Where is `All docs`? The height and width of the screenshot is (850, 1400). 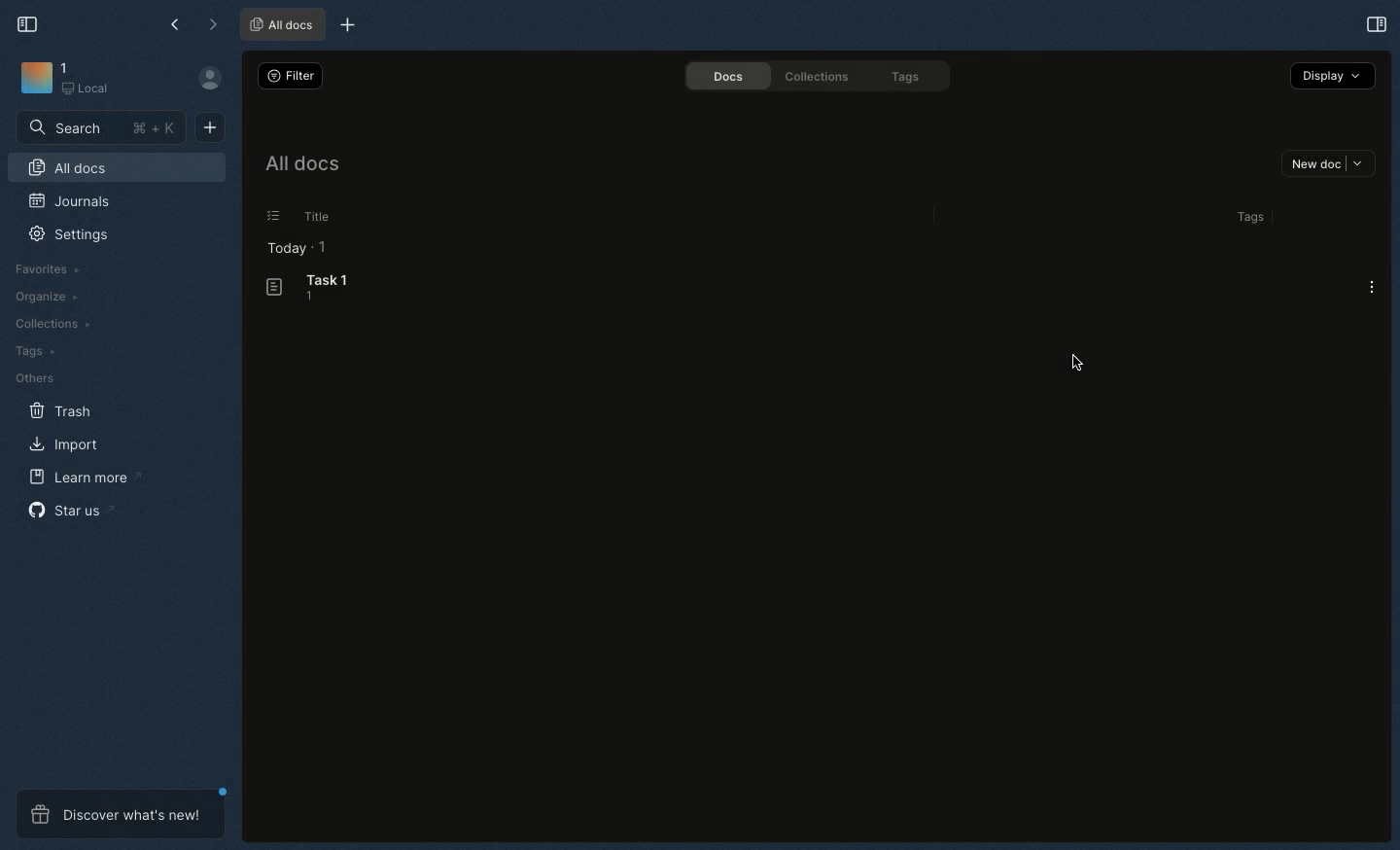
All docs is located at coordinates (285, 26).